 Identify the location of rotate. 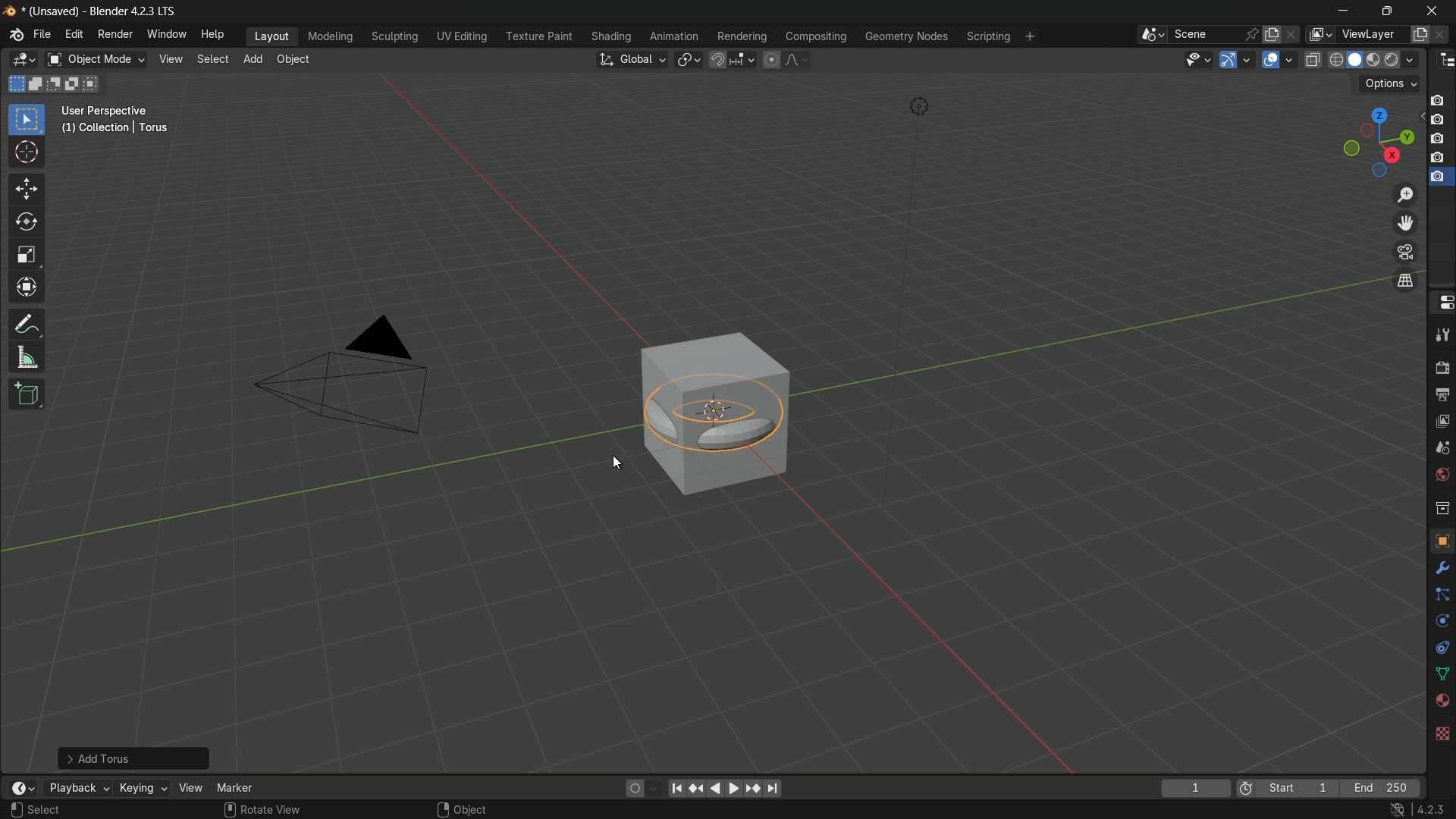
(27, 223).